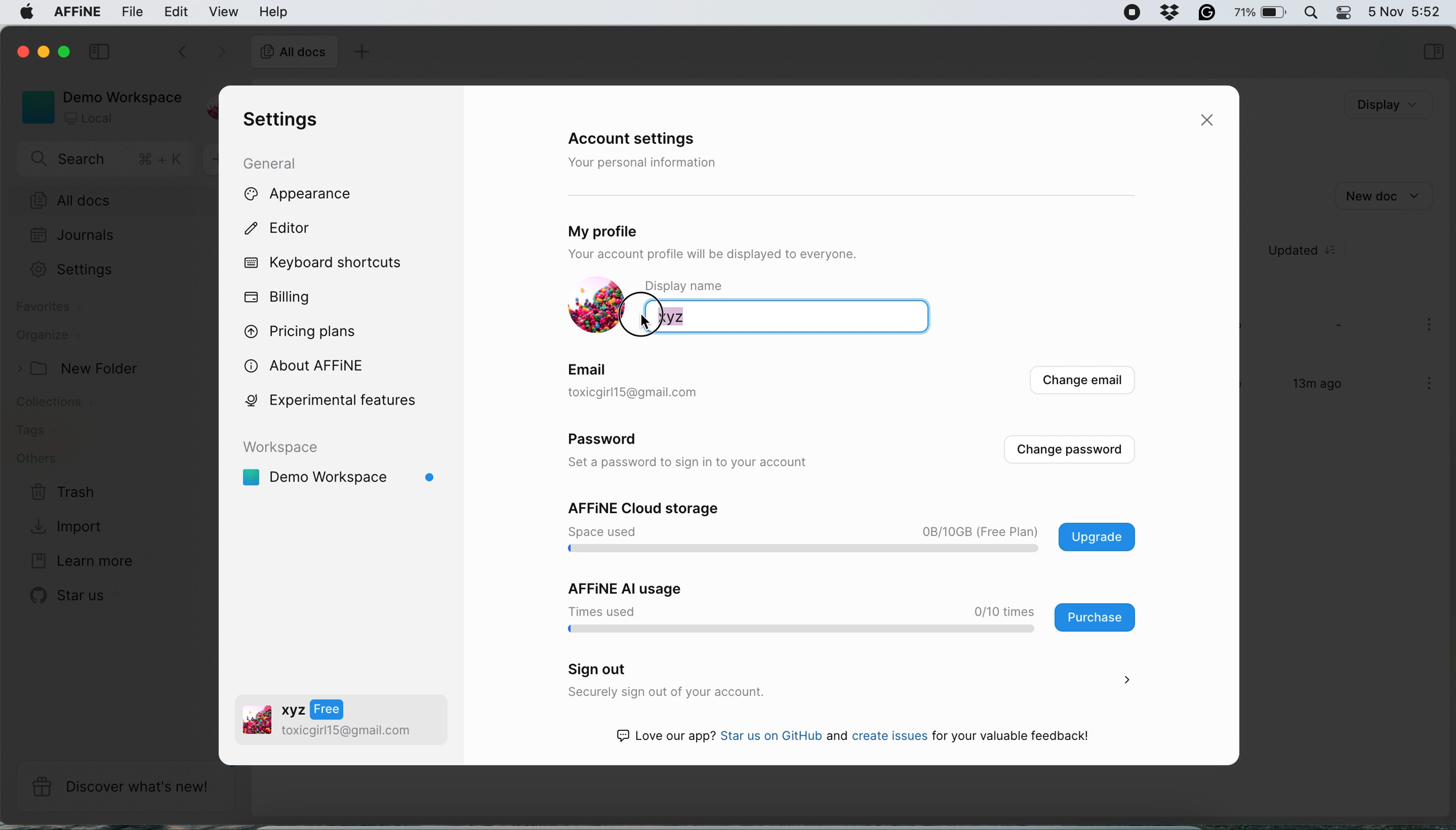 The image size is (1456, 830). I want to click on favourites, so click(52, 309).